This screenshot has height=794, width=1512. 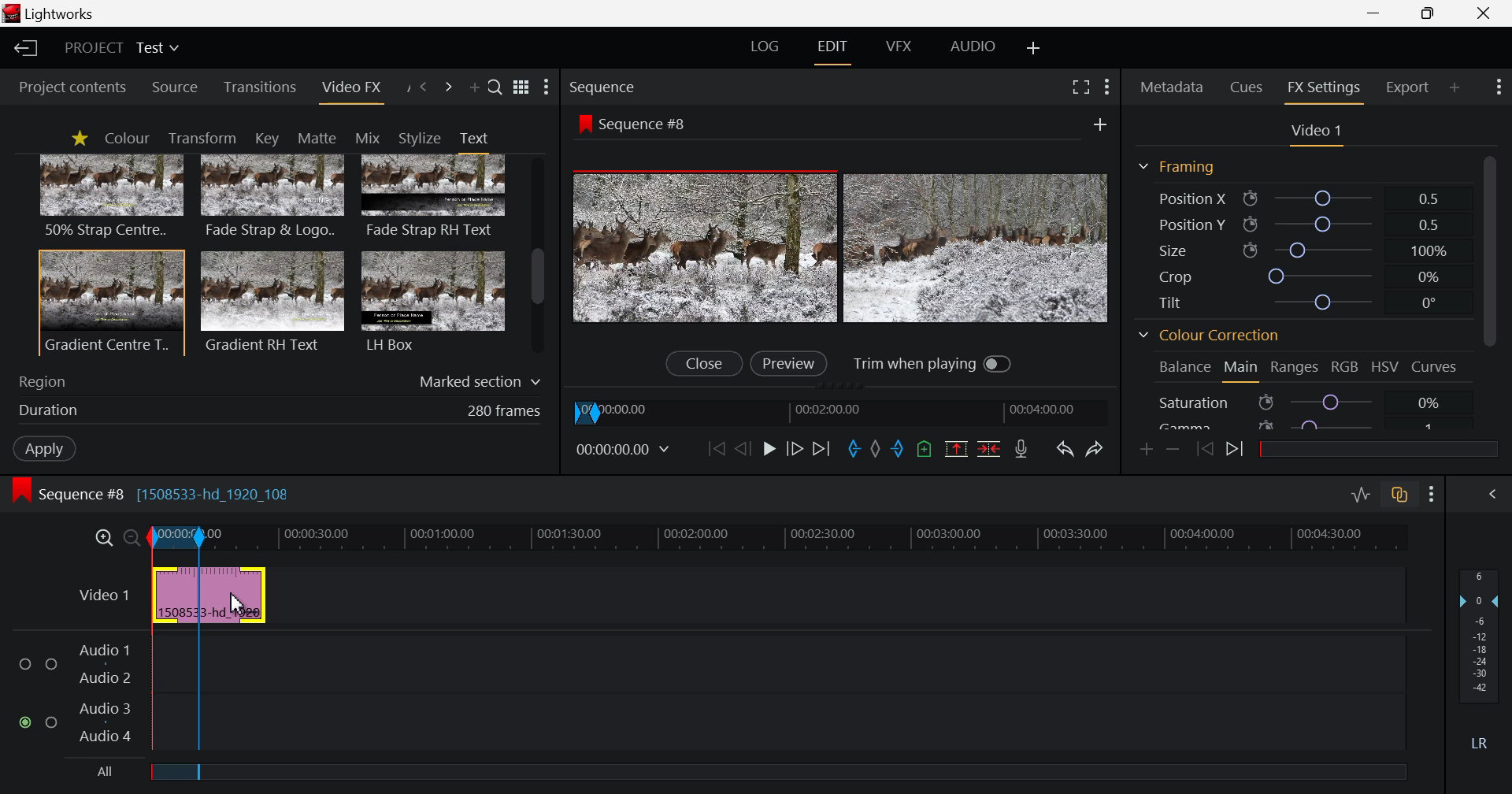 I want to click on Back to homepage, so click(x=23, y=48).